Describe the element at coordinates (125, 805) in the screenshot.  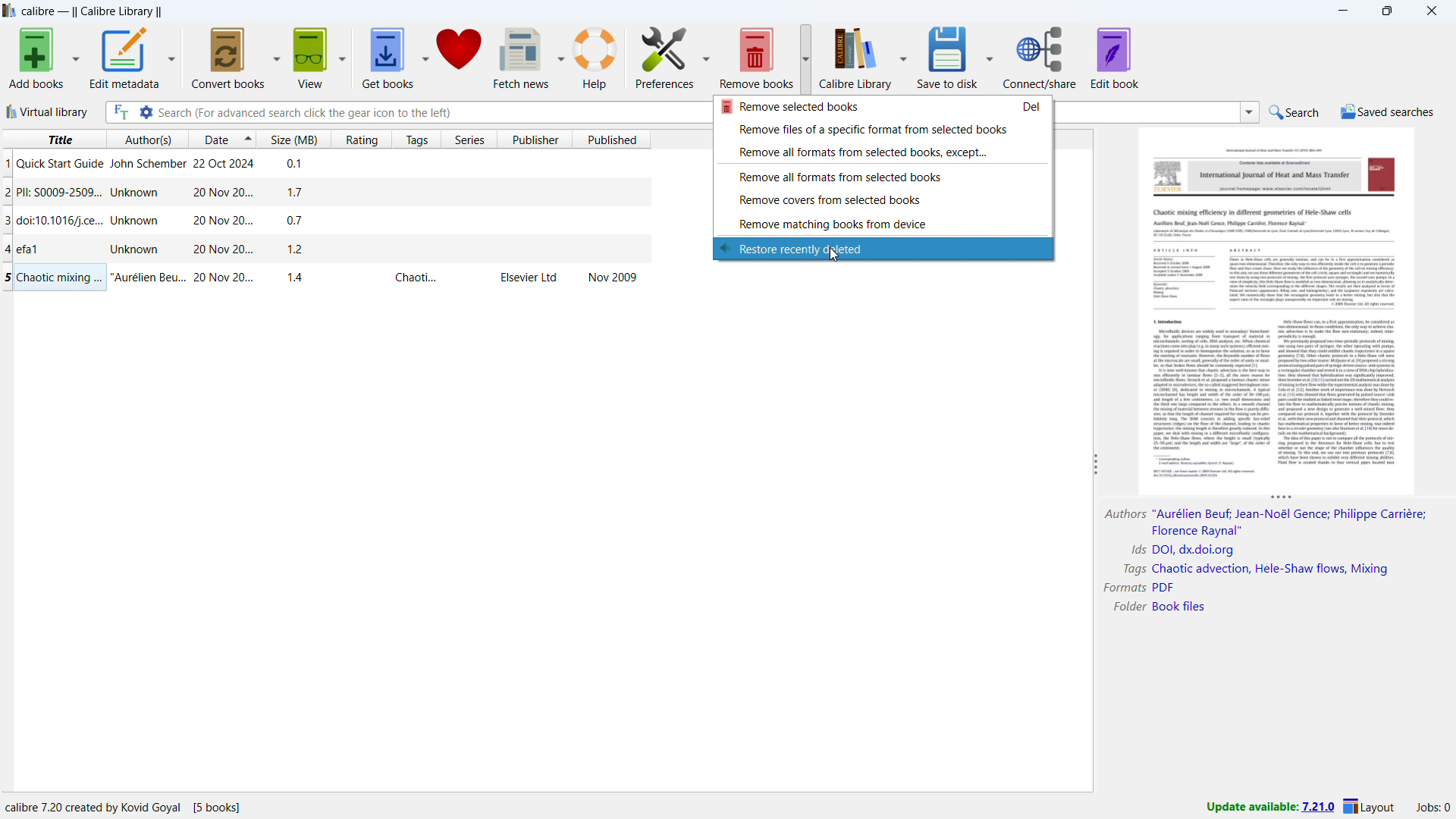
I see `program information` at that location.